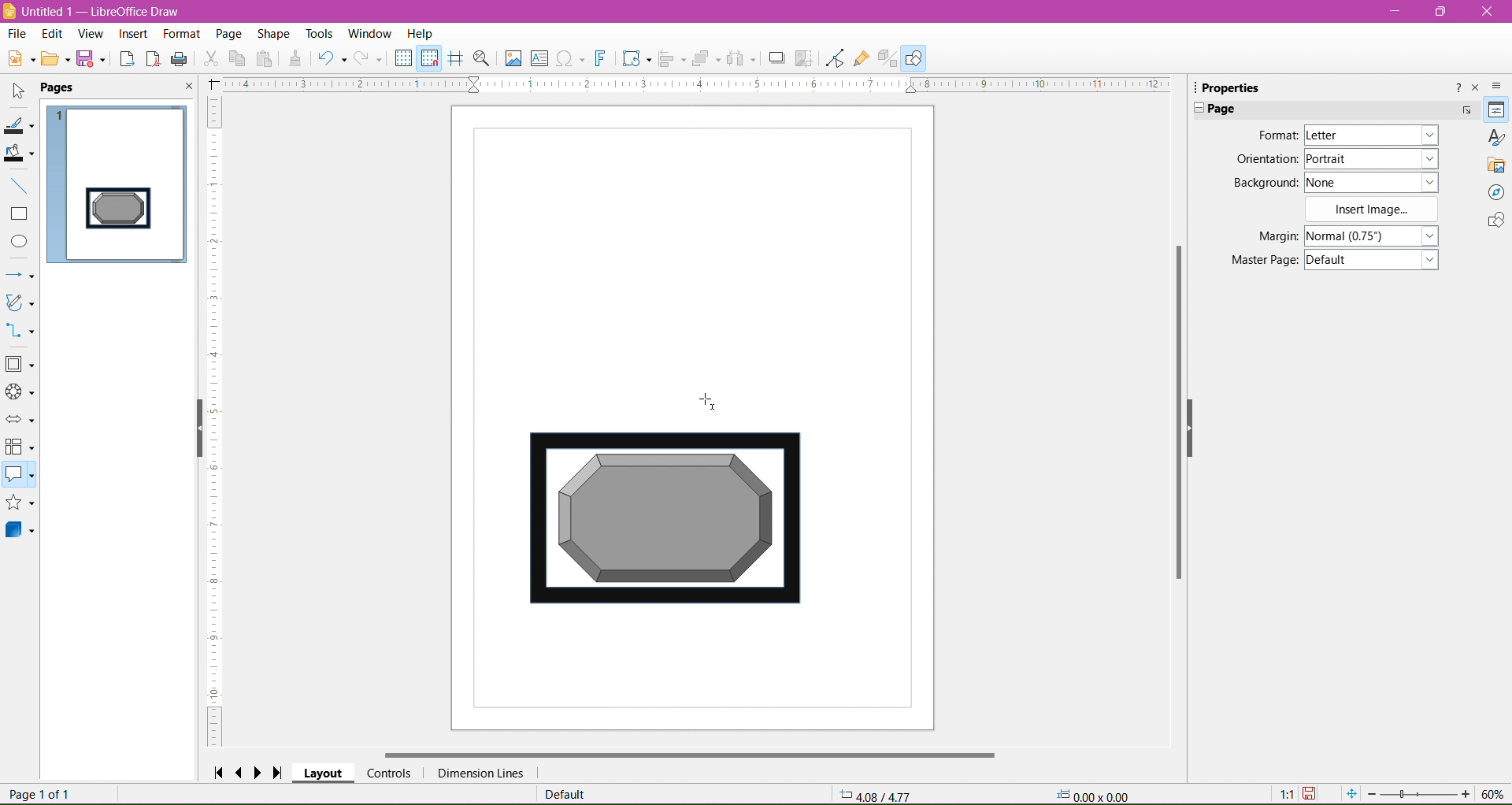  Describe the element at coordinates (480, 773) in the screenshot. I see `Dimension Lines` at that location.